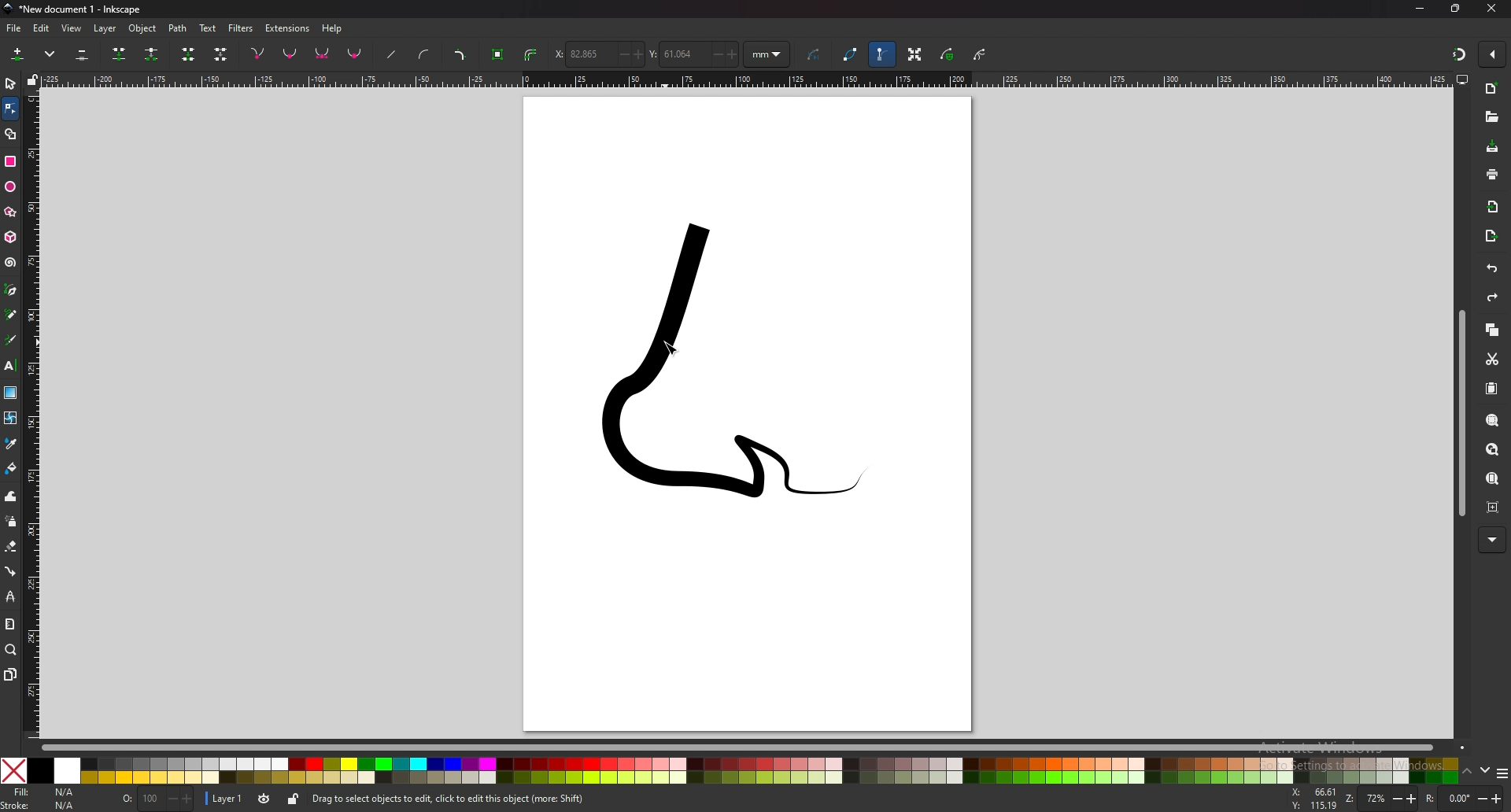 The width and height of the screenshot is (1511, 812). I want to click on corner, so click(259, 53).